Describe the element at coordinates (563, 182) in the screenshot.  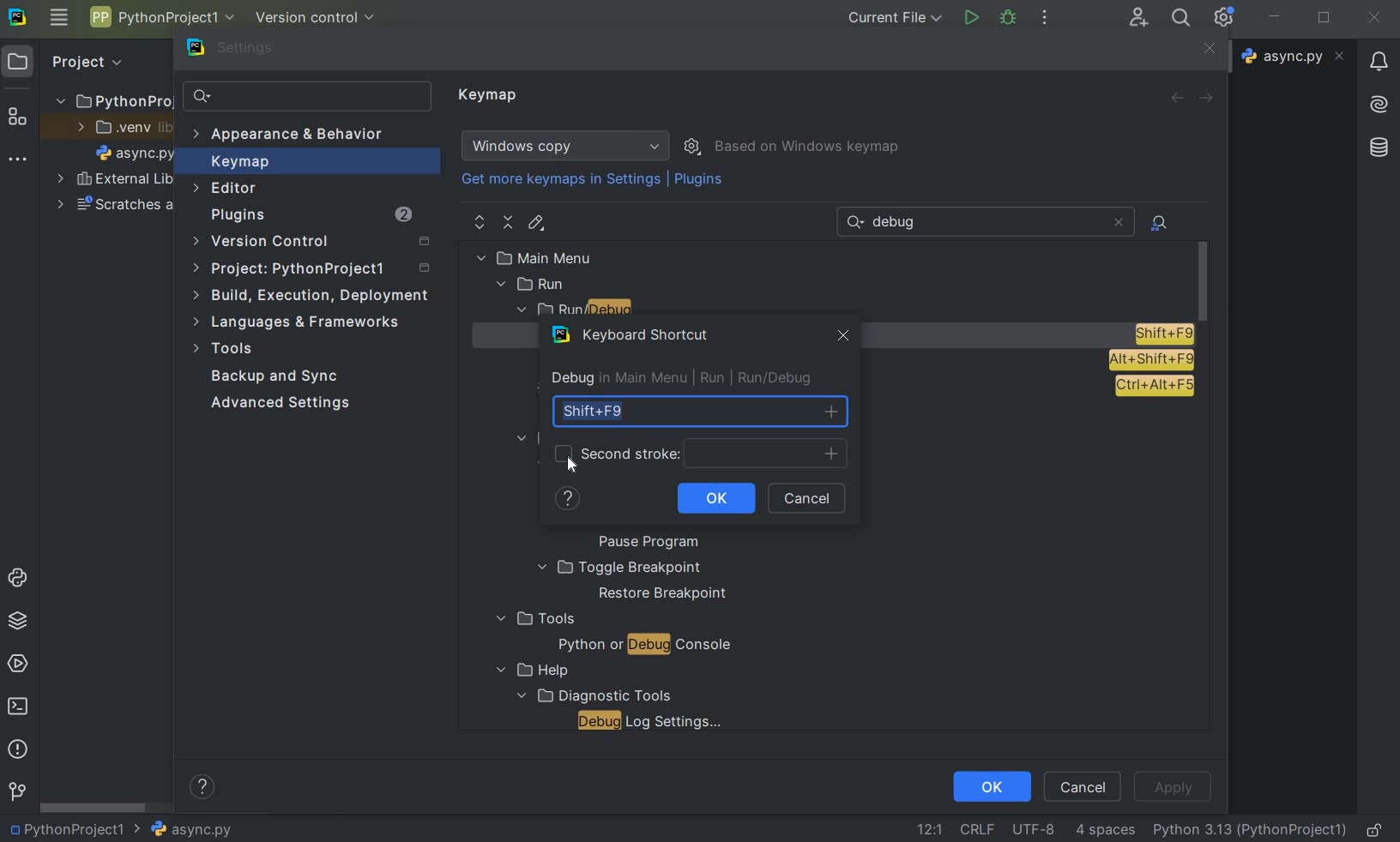
I see `get more keymaps in settings` at that location.